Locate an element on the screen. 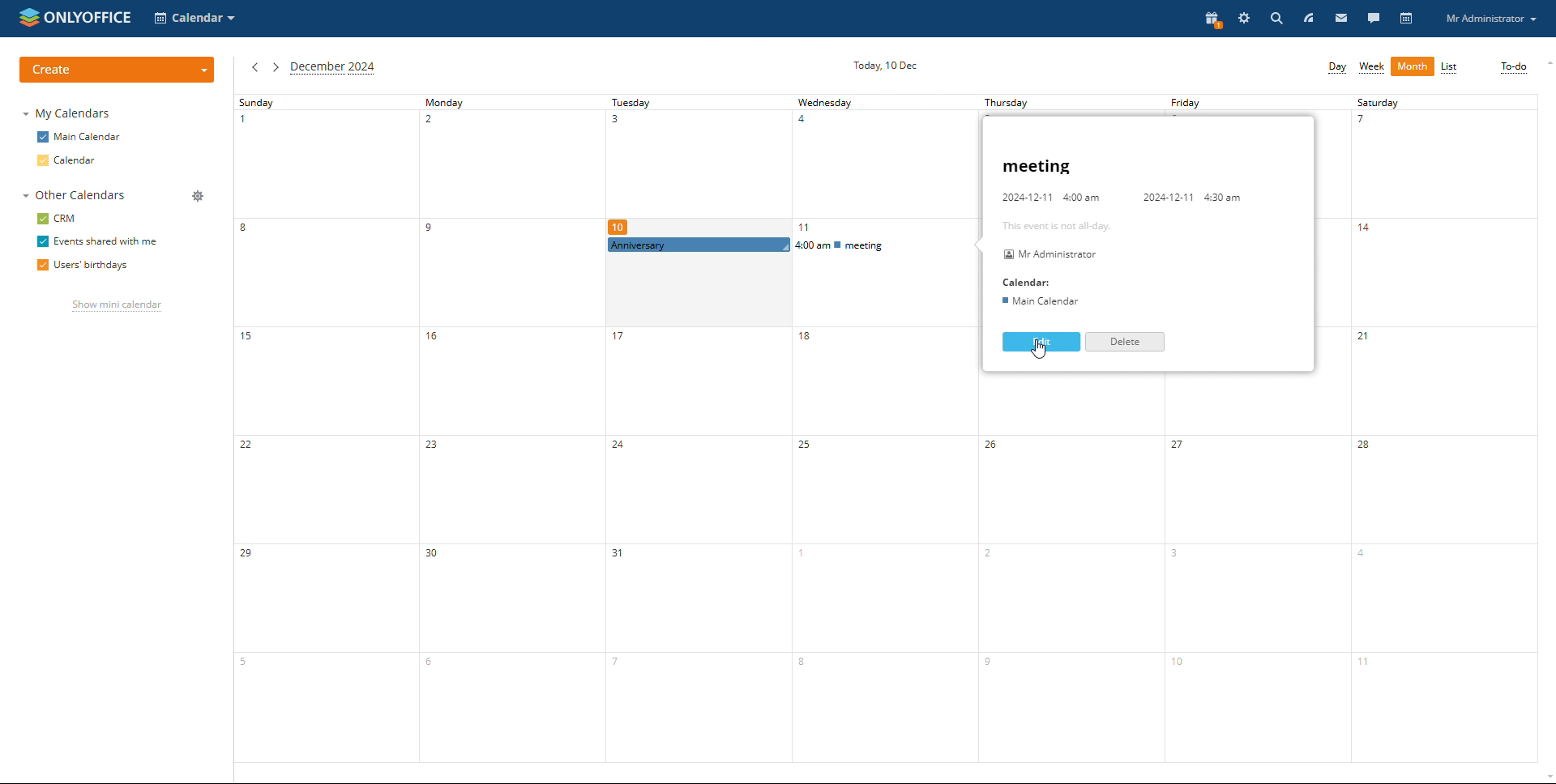 The width and height of the screenshot is (1556, 784). list view is located at coordinates (1450, 68).